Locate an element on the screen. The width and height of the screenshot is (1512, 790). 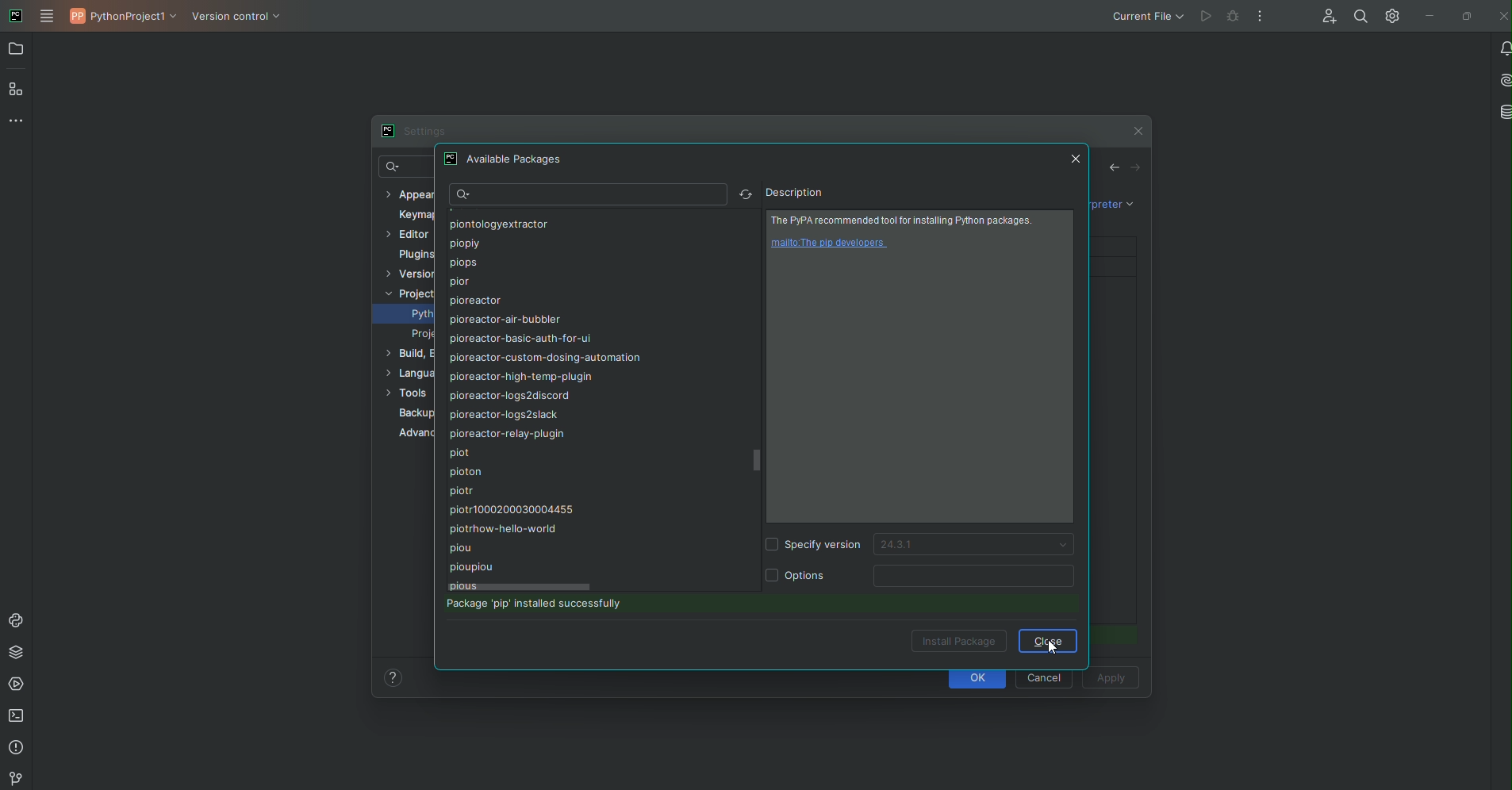
Interpreter is located at coordinates (1108, 204).